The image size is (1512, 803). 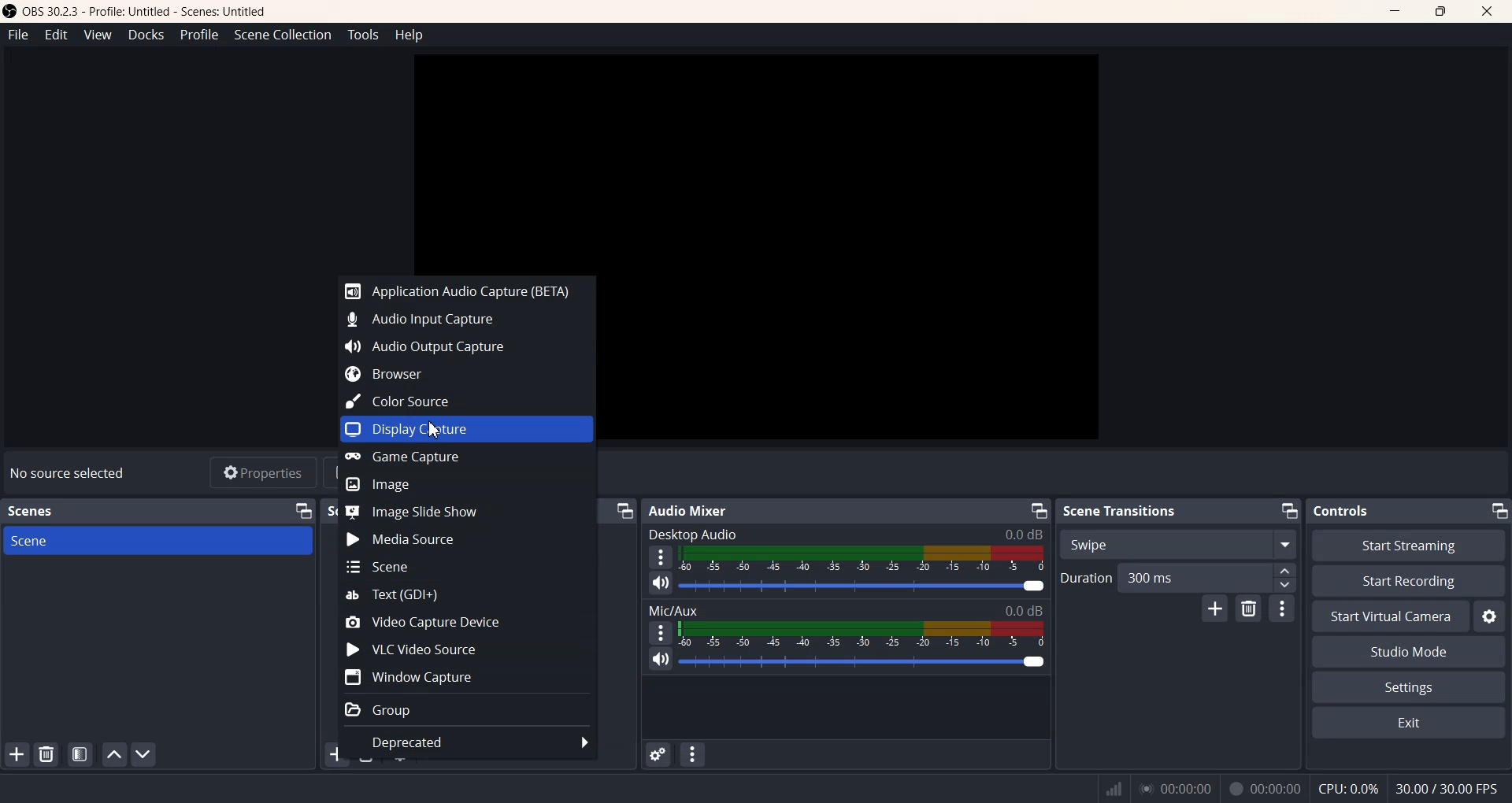 What do you see at coordinates (466, 511) in the screenshot?
I see `Image Slide Show` at bounding box center [466, 511].